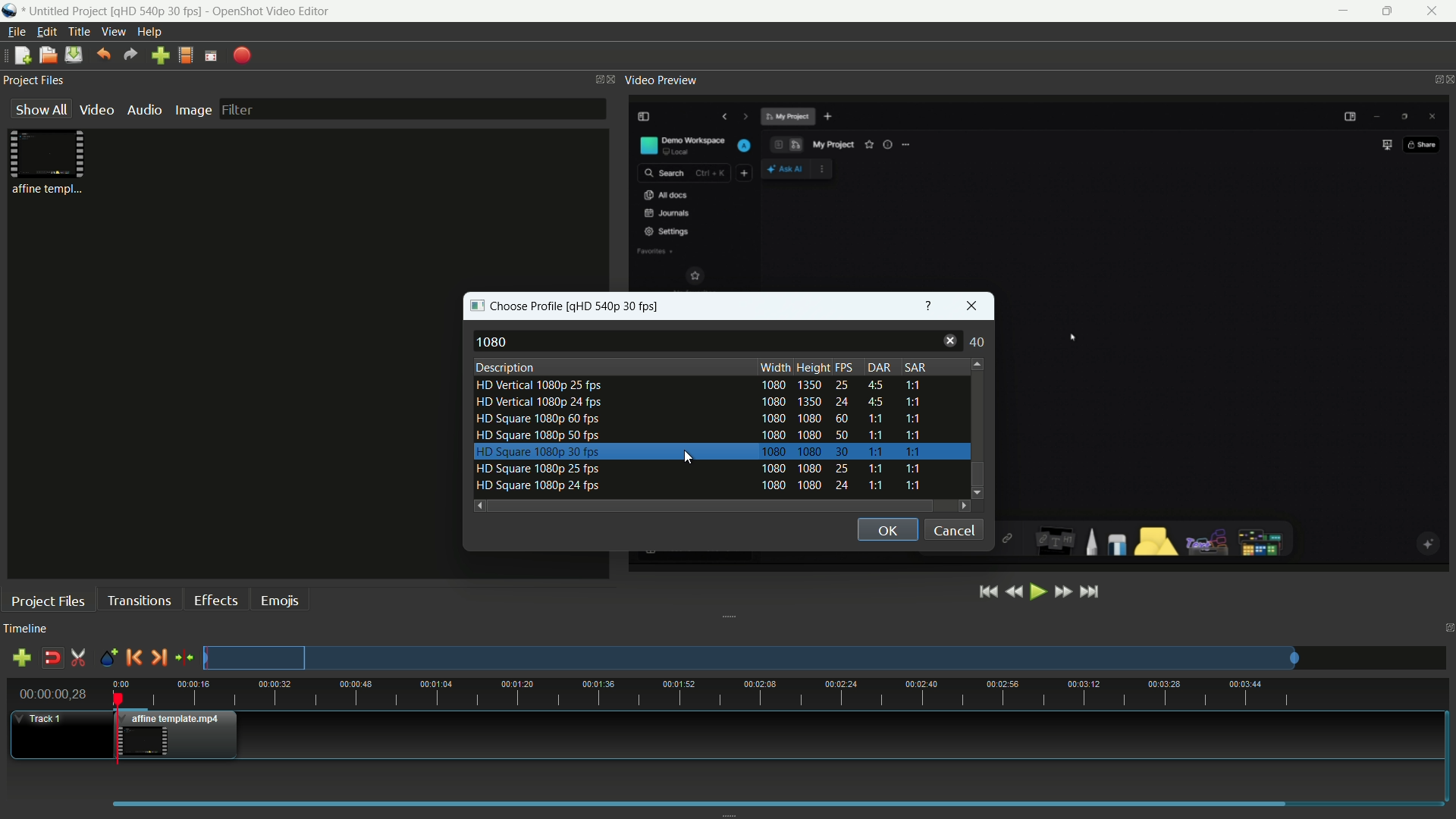 Image resolution: width=1456 pixels, height=819 pixels. What do you see at coordinates (216, 601) in the screenshot?
I see `effects` at bounding box center [216, 601].